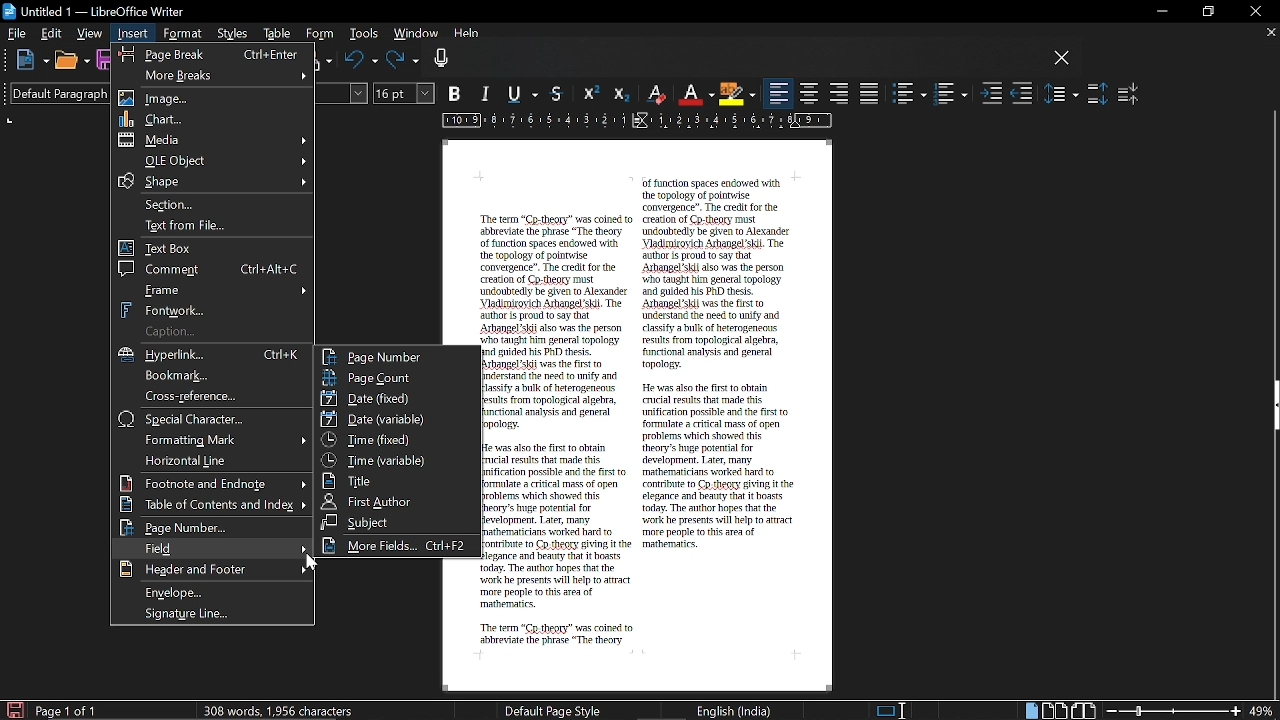 This screenshot has height=720, width=1280. Describe the element at coordinates (1085, 710) in the screenshot. I see `Book view` at that location.